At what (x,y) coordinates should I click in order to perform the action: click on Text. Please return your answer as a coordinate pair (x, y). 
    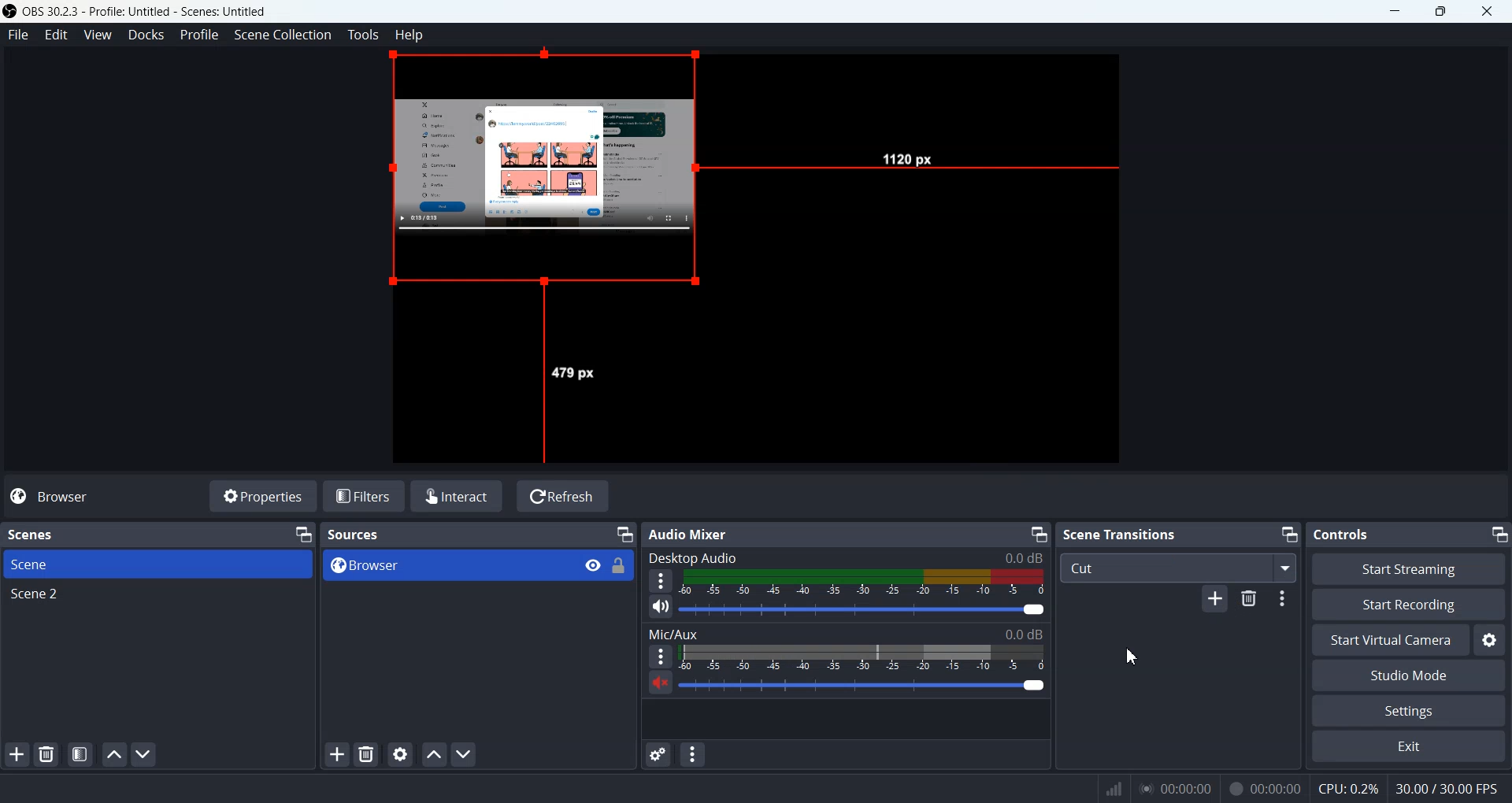
    Looking at the image, I should click on (354, 535).